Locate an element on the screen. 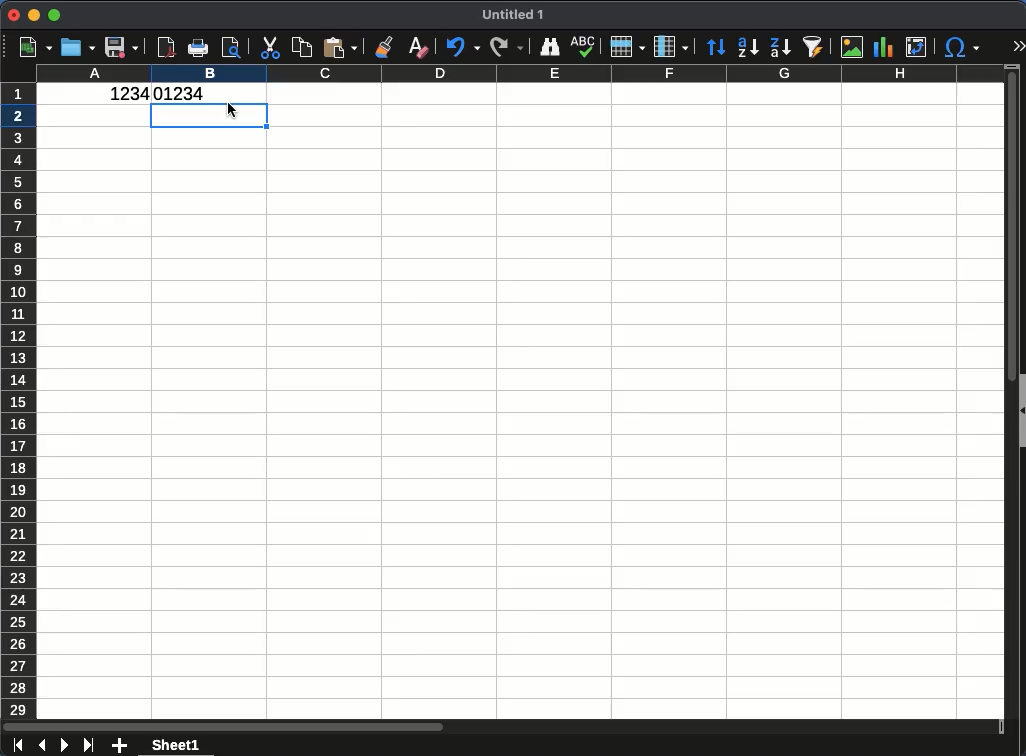 This screenshot has width=1026, height=756. collapse is located at coordinates (1021, 412).